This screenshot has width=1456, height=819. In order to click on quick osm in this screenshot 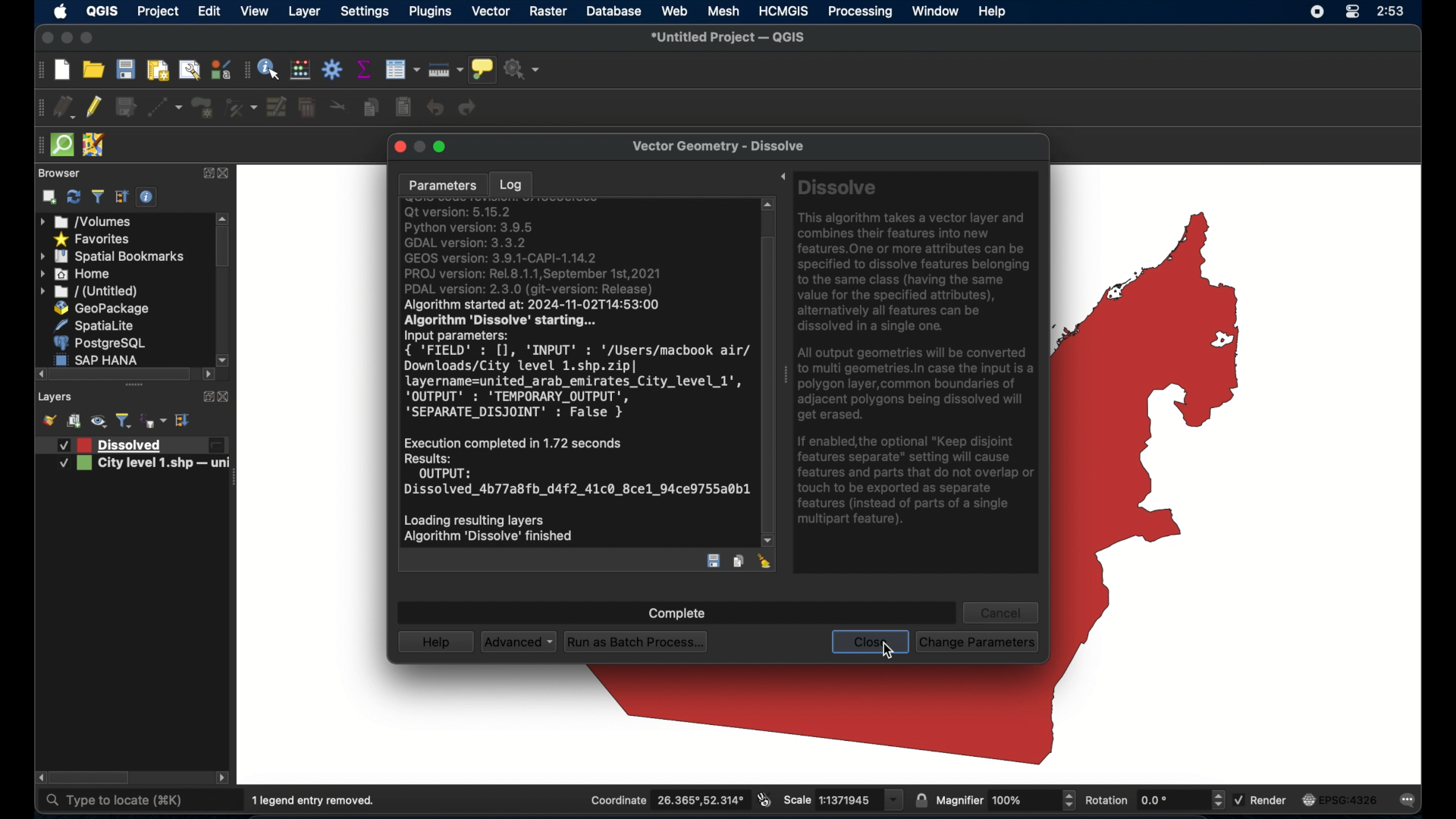, I will do `click(61, 145)`.